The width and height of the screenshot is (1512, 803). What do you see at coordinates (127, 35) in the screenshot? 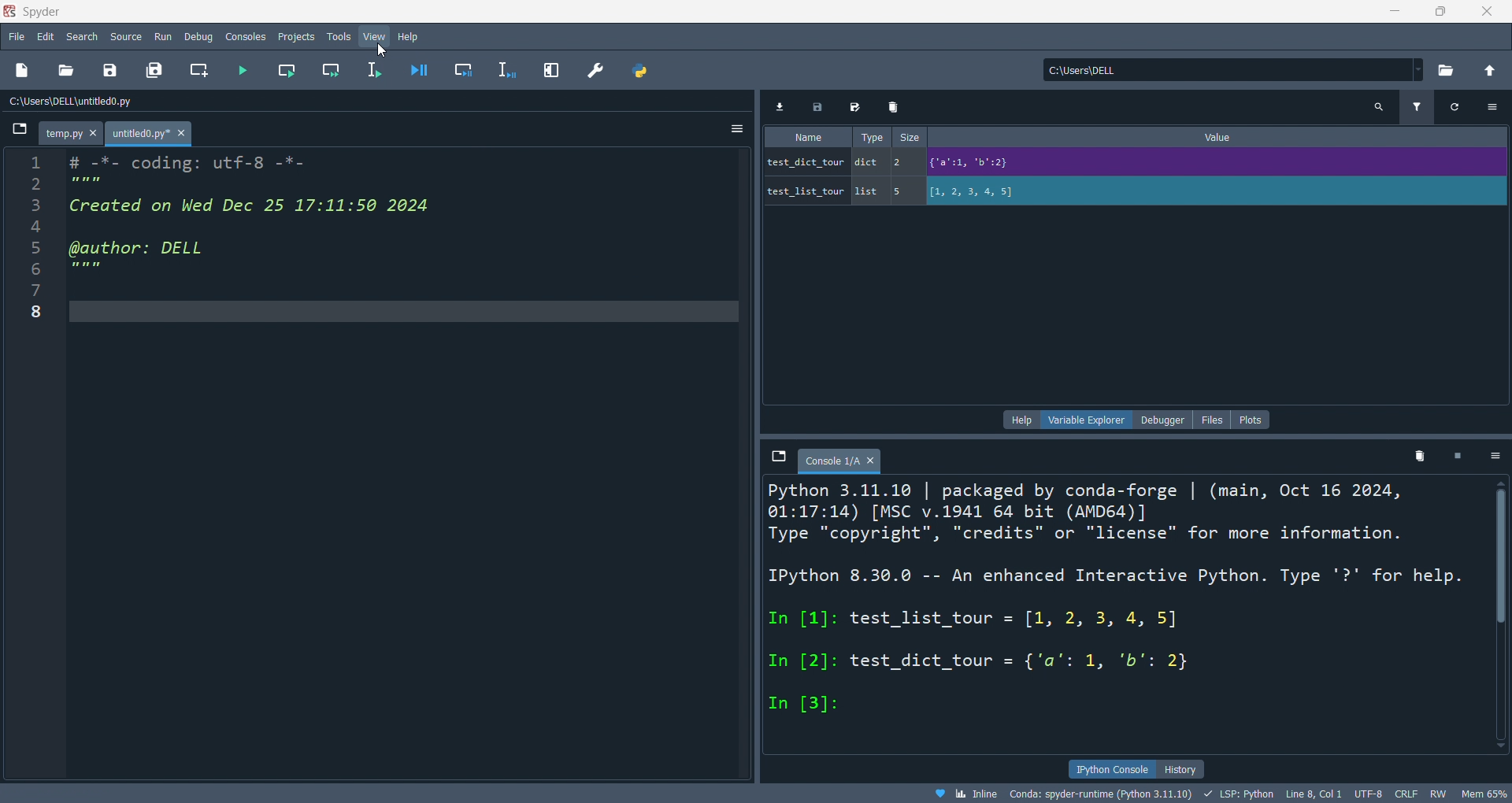
I see `source` at bounding box center [127, 35].